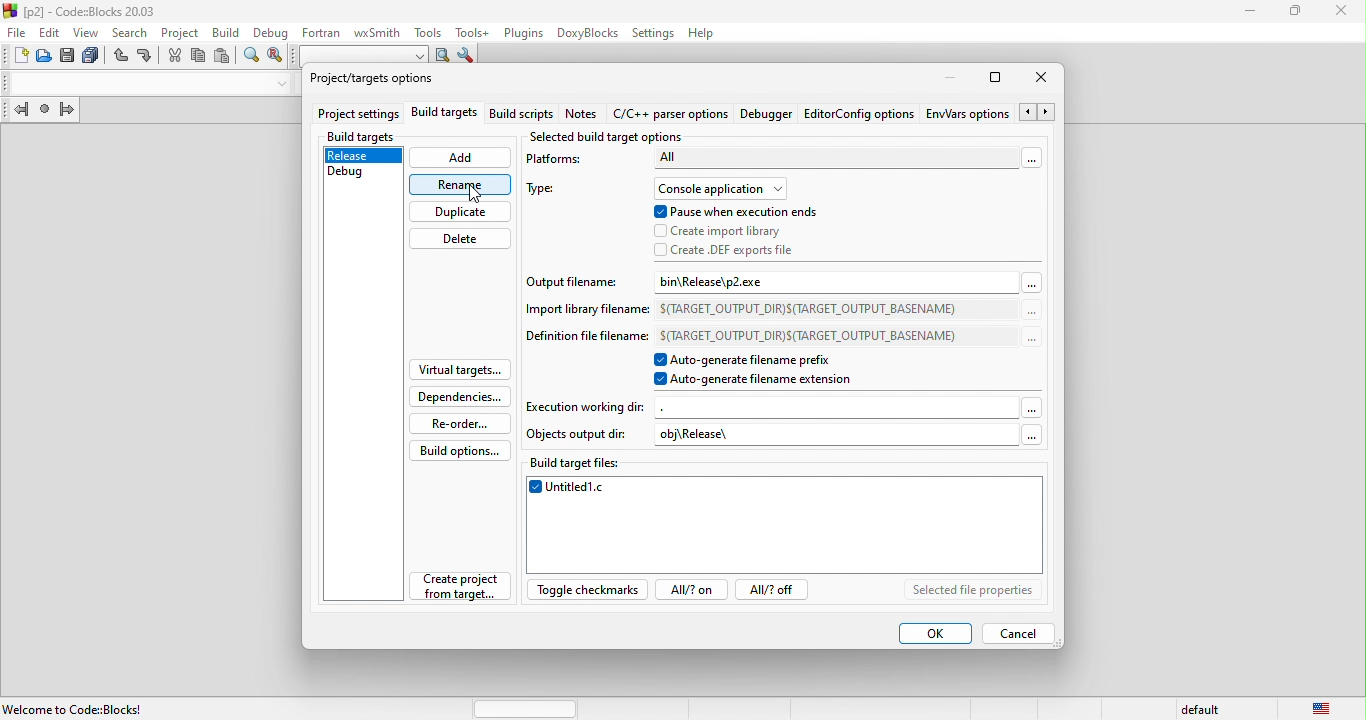  What do you see at coordinates (46, 57) in the screenshot?
I see `open` at bounding box center [46, 57].